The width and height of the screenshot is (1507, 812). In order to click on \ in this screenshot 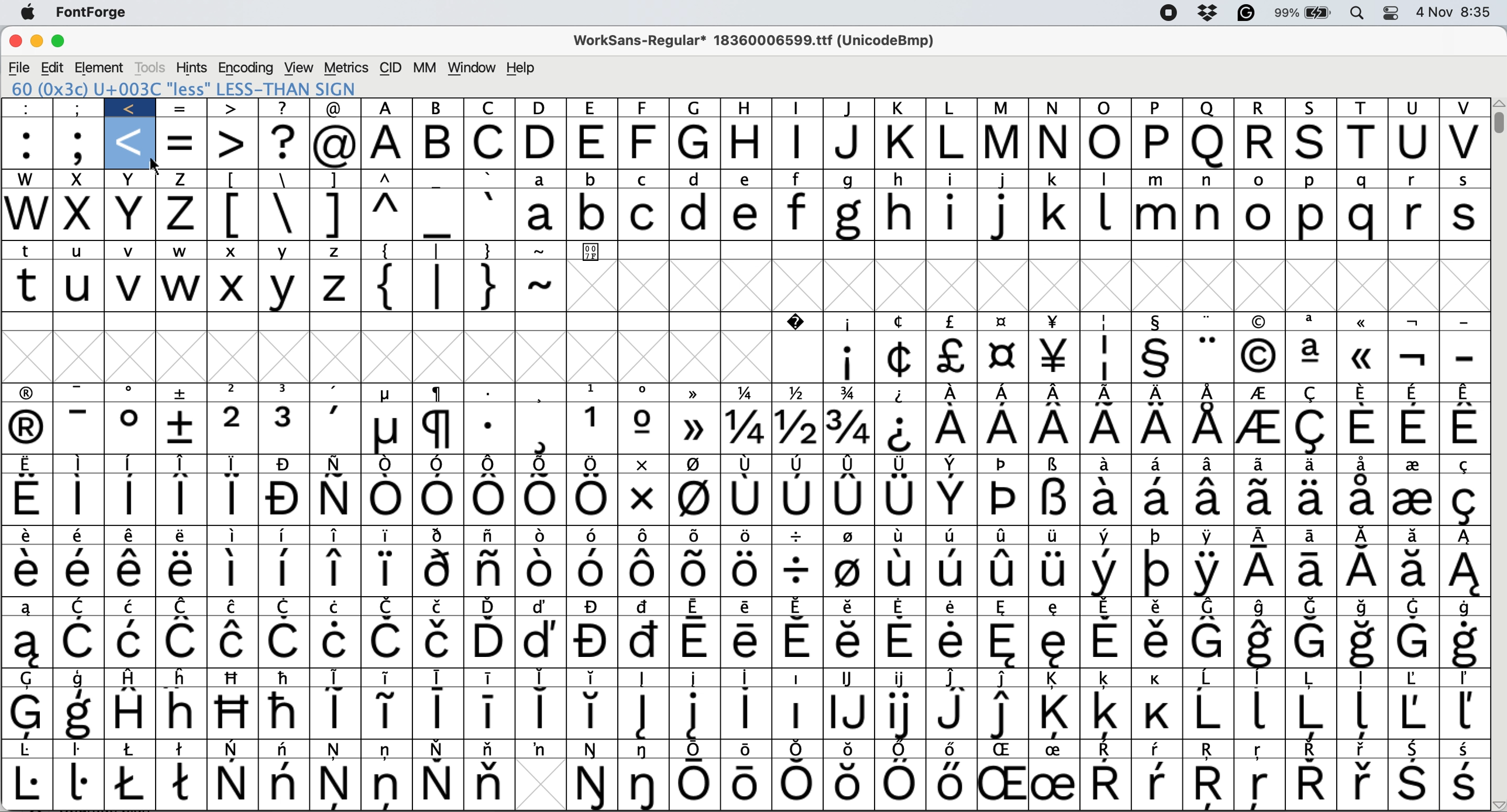, I will do `click(284, 178)`.